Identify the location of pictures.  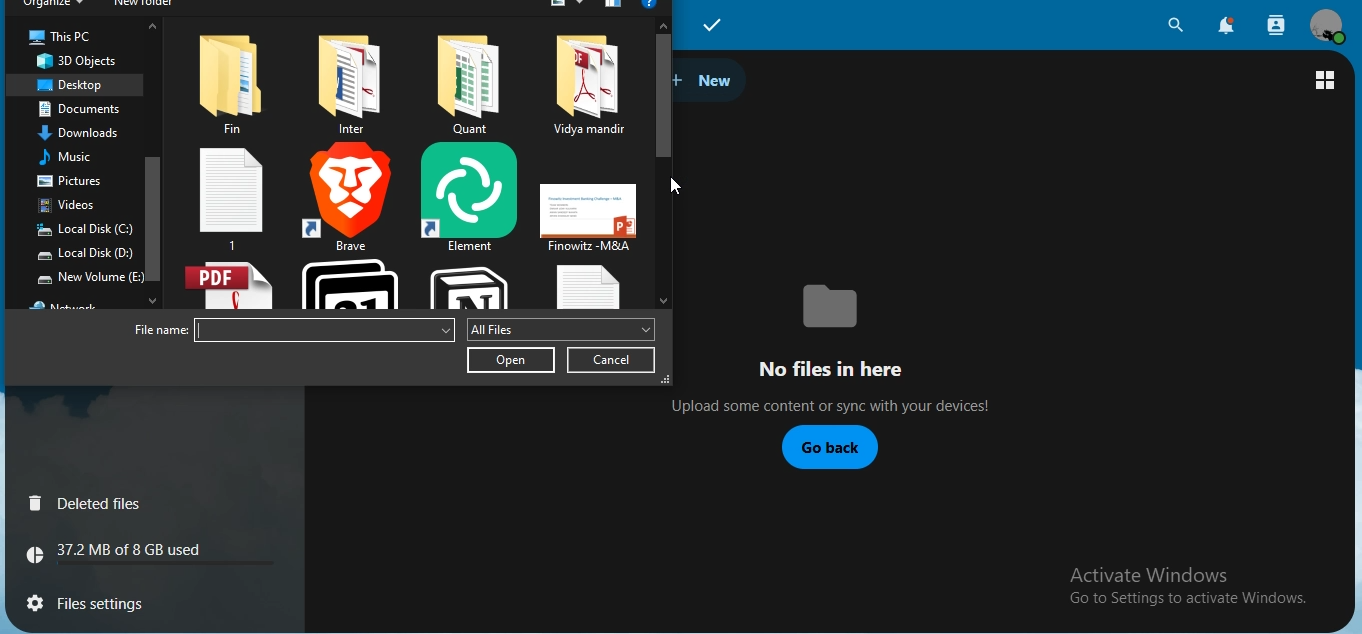
(80, 181).